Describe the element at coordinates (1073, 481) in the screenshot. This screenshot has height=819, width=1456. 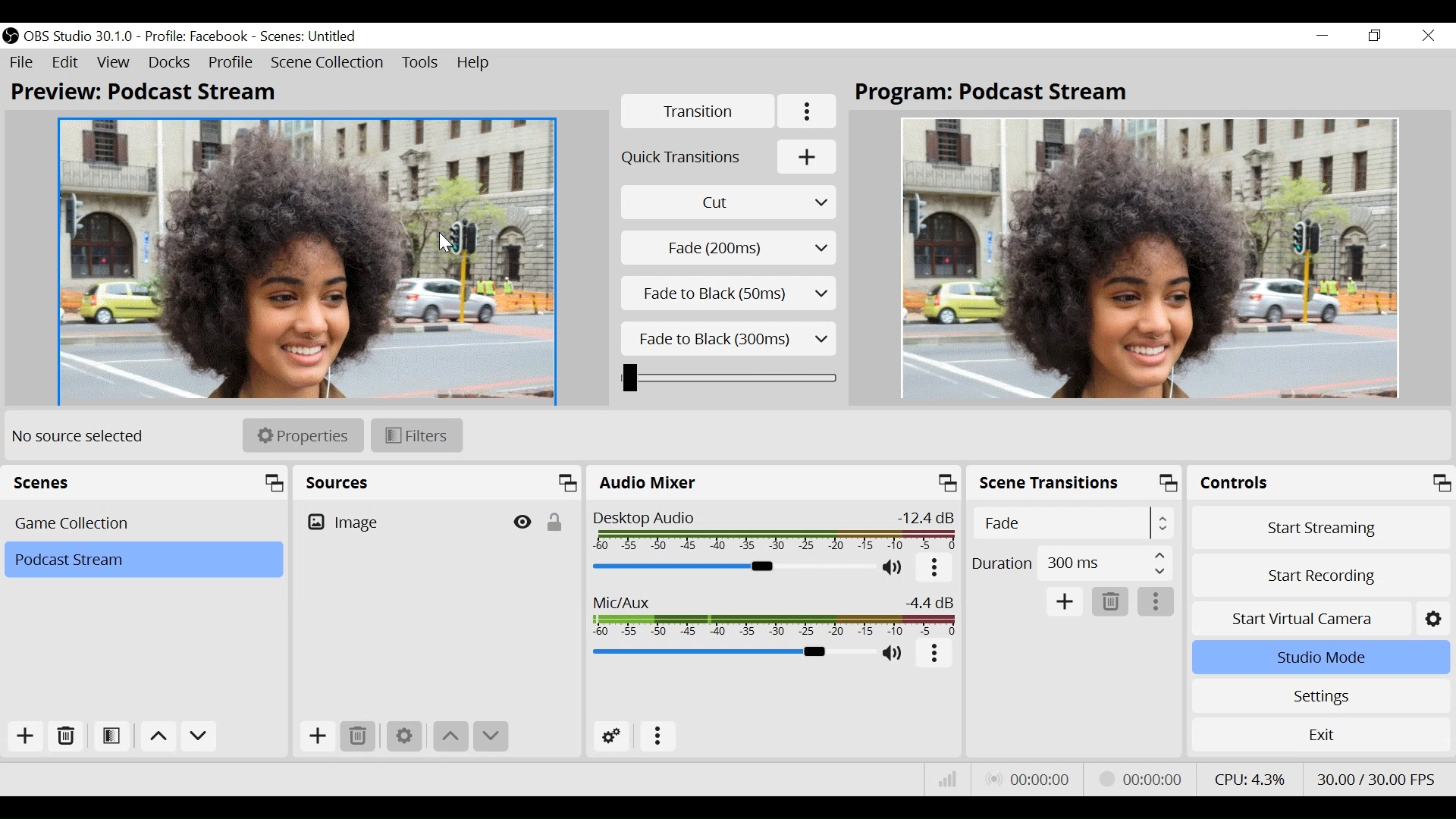
I see `Scene Transition` at that location.